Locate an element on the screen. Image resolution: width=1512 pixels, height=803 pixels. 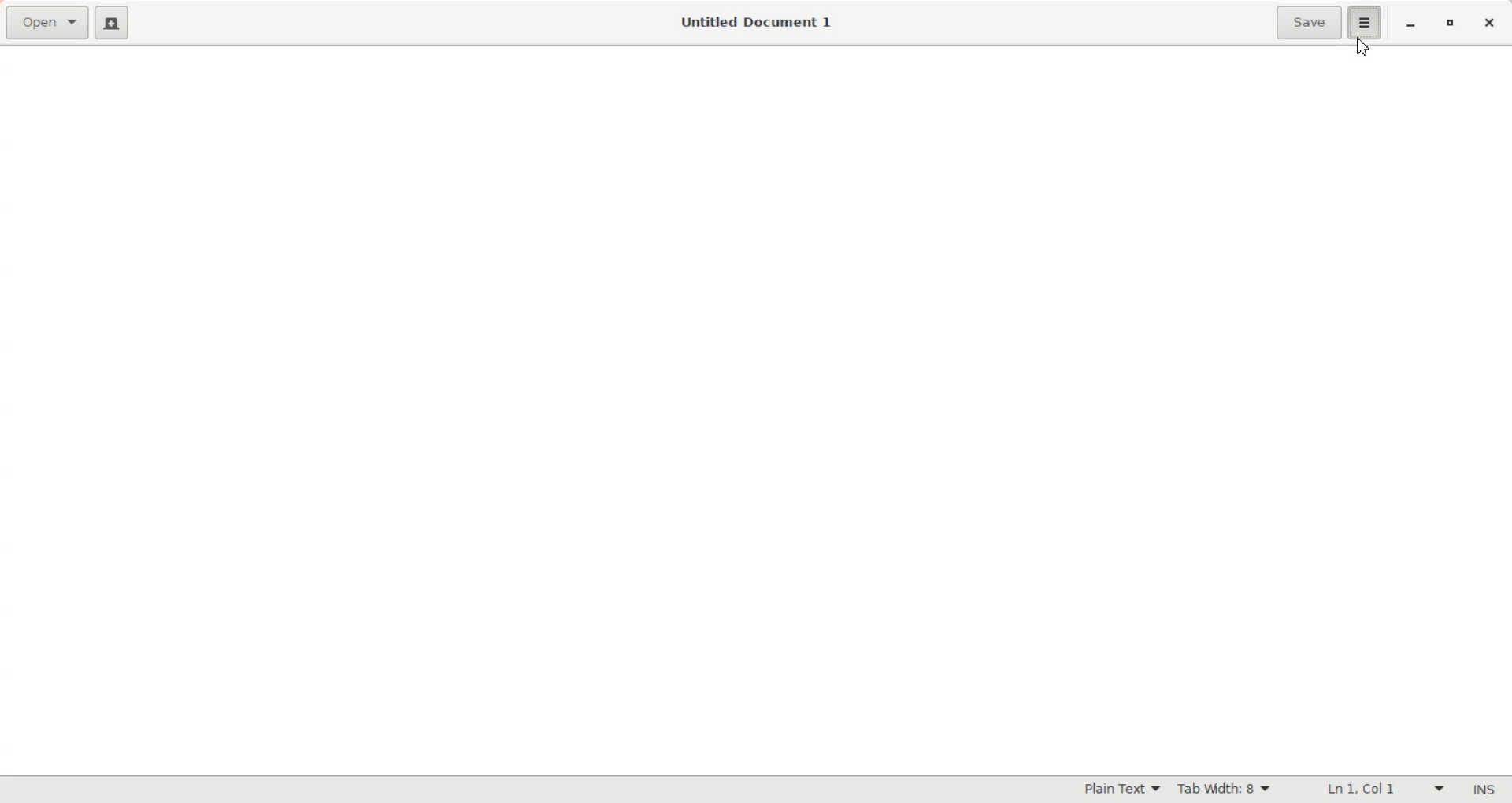
Minimize is located at coordinates (1411, 25).